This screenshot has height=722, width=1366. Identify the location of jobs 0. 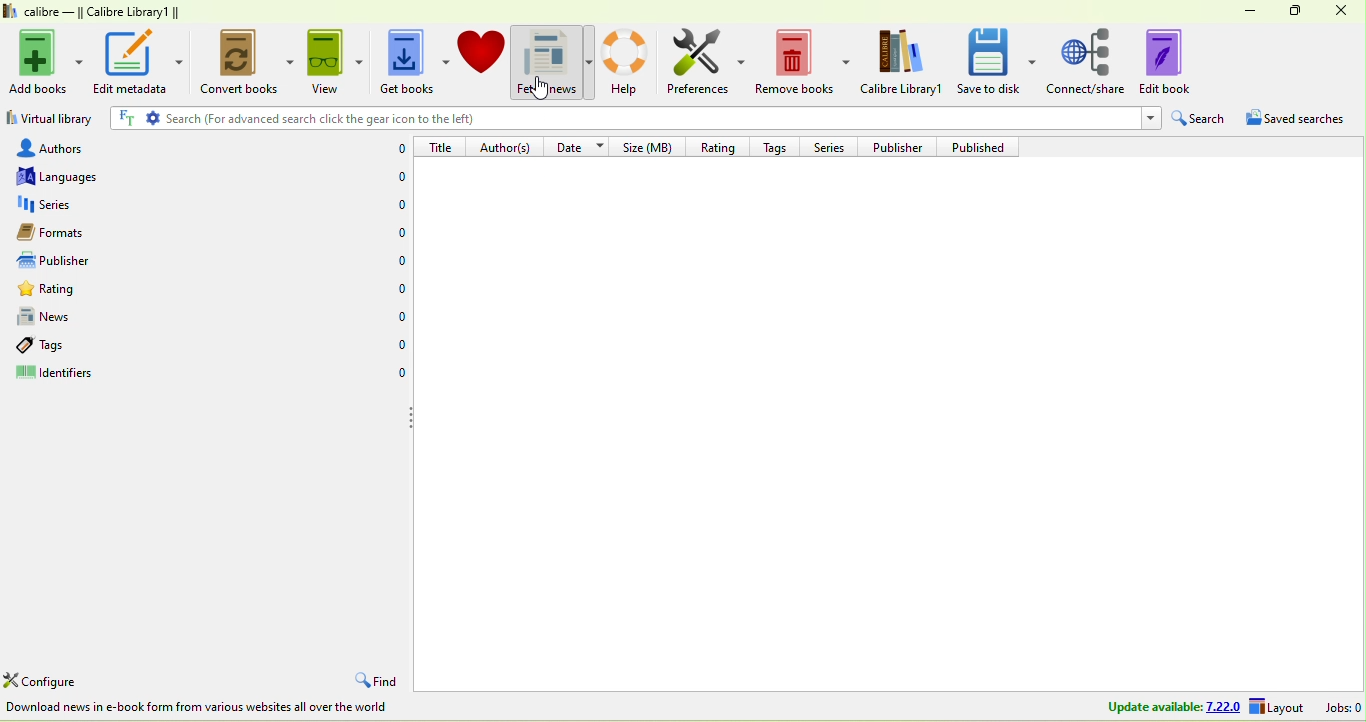
(1345, 709).